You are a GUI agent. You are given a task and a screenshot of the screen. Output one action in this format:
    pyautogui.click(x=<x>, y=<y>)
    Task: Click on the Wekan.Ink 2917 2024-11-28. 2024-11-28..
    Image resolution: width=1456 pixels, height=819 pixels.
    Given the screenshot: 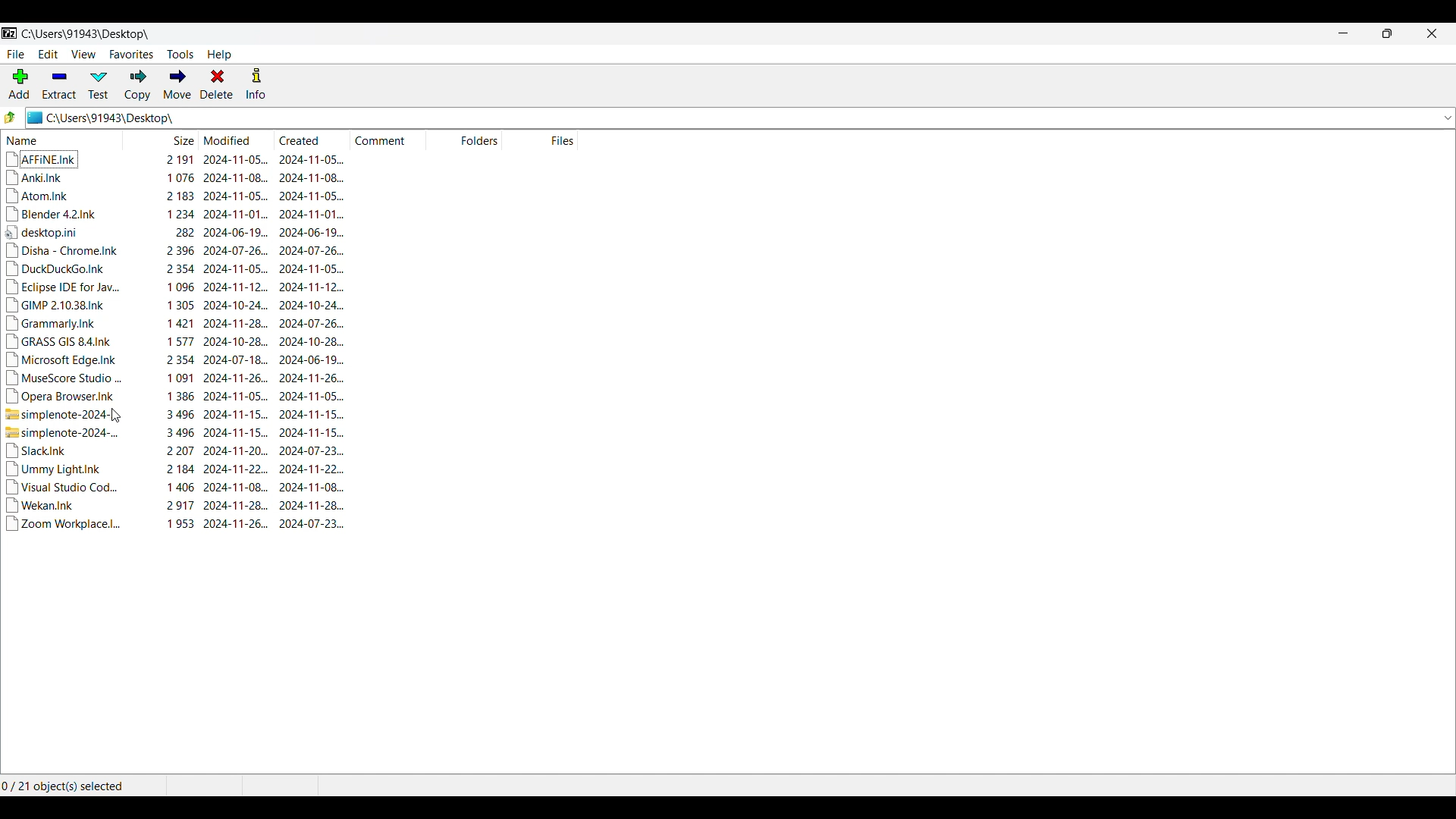 What is the action you would take?
    pyautogui.click(x=180, y=506)
    